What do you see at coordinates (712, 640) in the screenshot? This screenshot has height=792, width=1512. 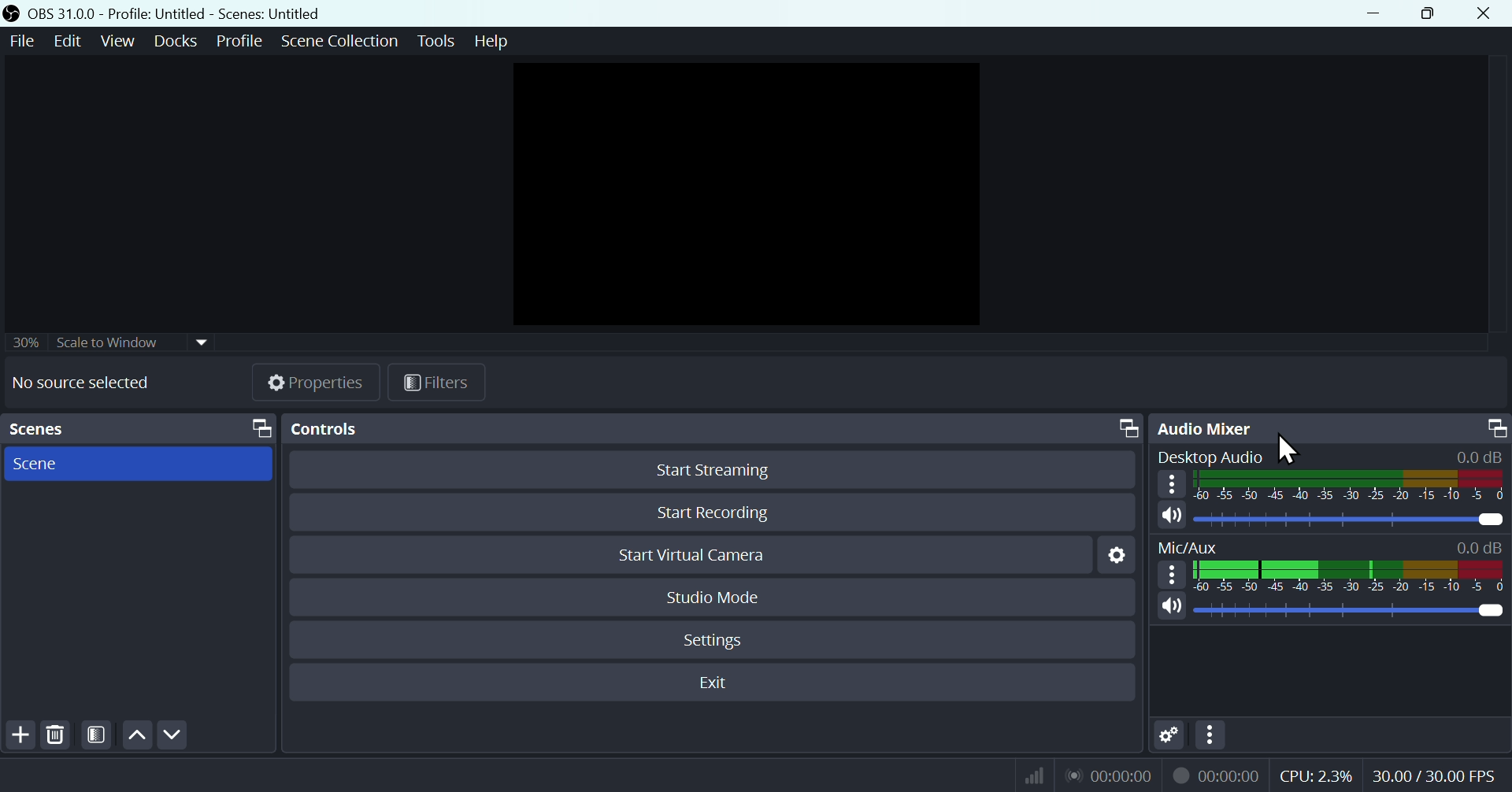 I see `Settings` at bounding box center [712, 640].